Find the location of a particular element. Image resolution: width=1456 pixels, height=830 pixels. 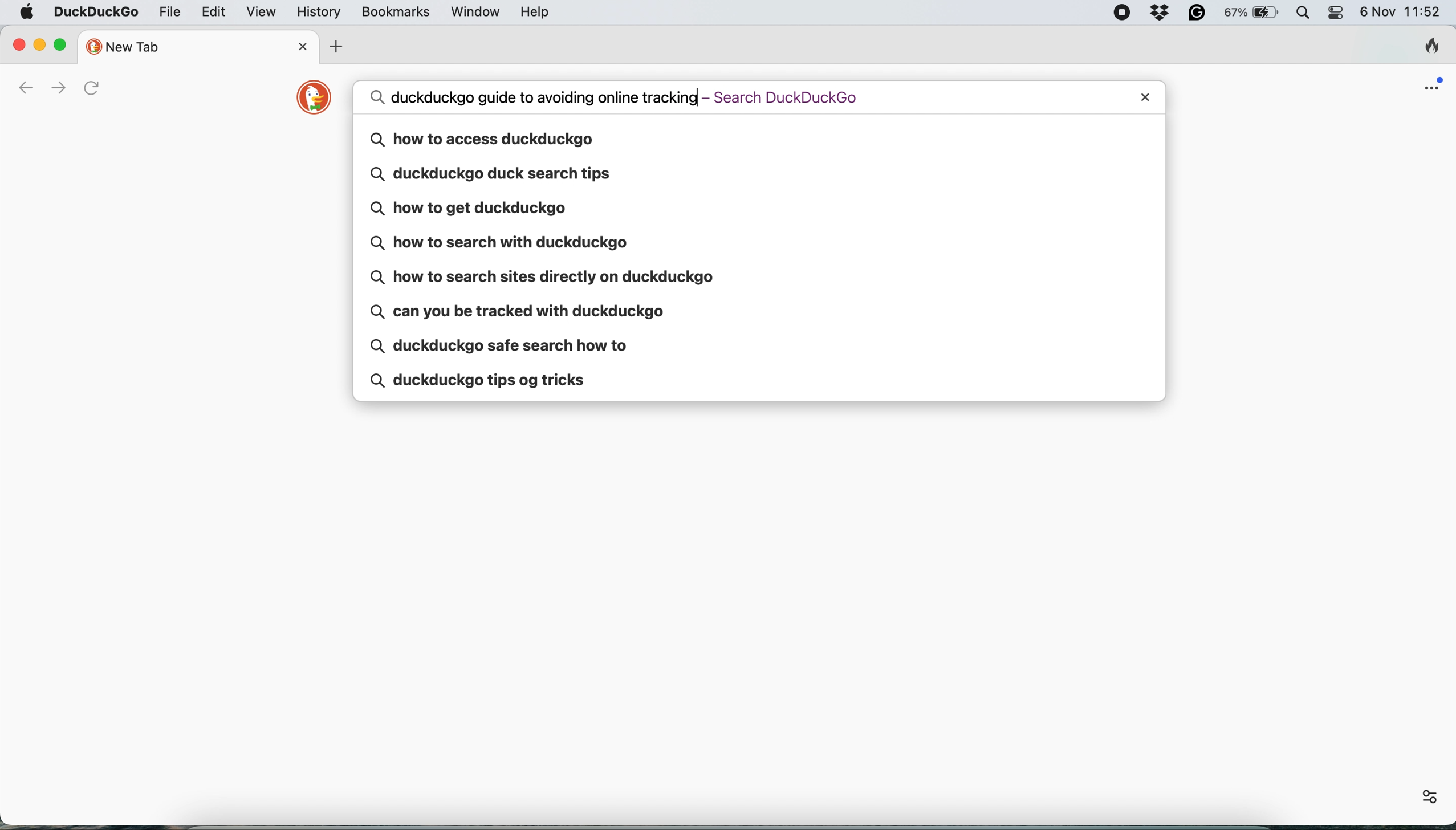

close is located at coordinates (299, 48).